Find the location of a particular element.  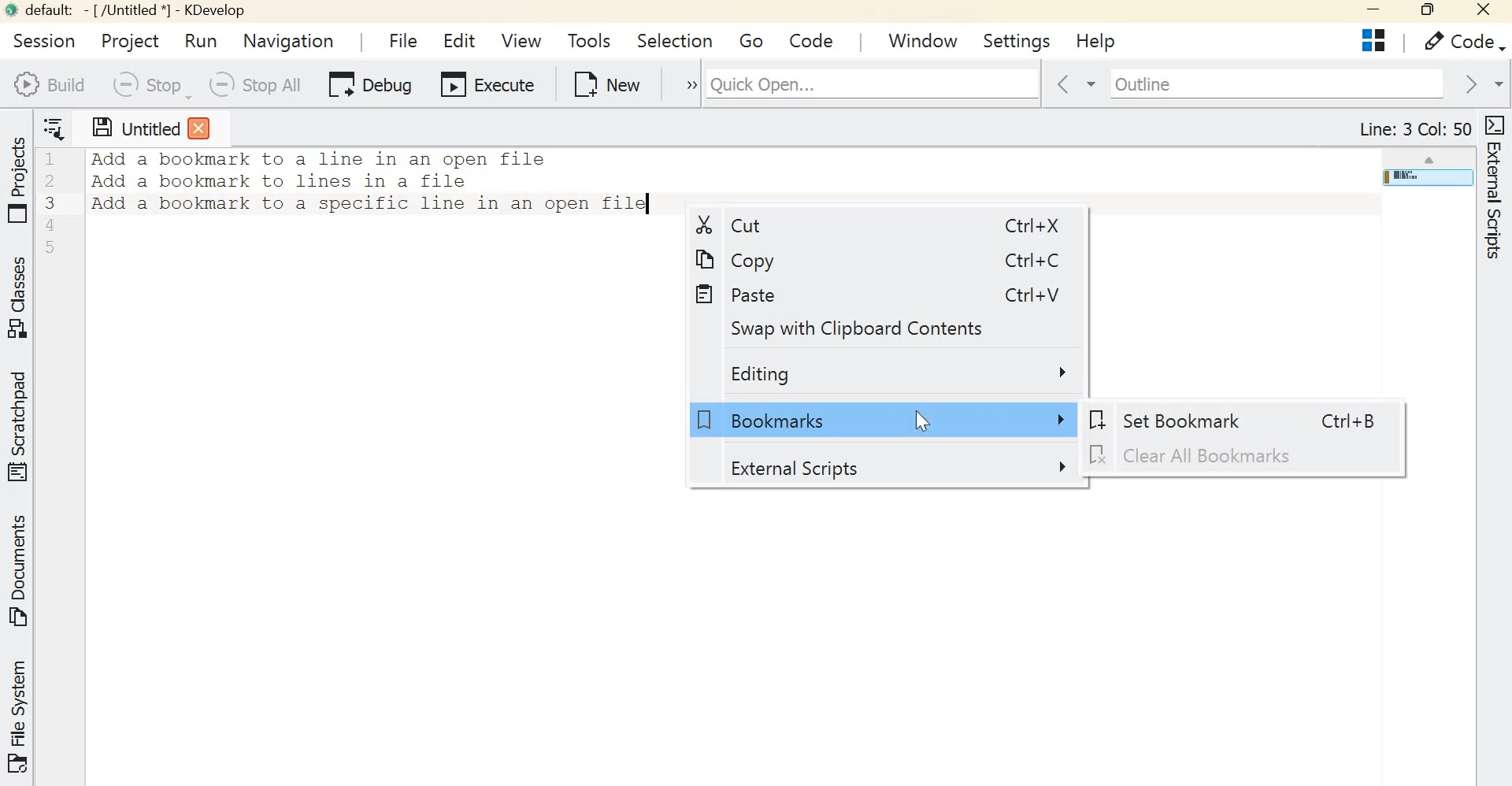

Outline is located at coordinates (1274, 83).